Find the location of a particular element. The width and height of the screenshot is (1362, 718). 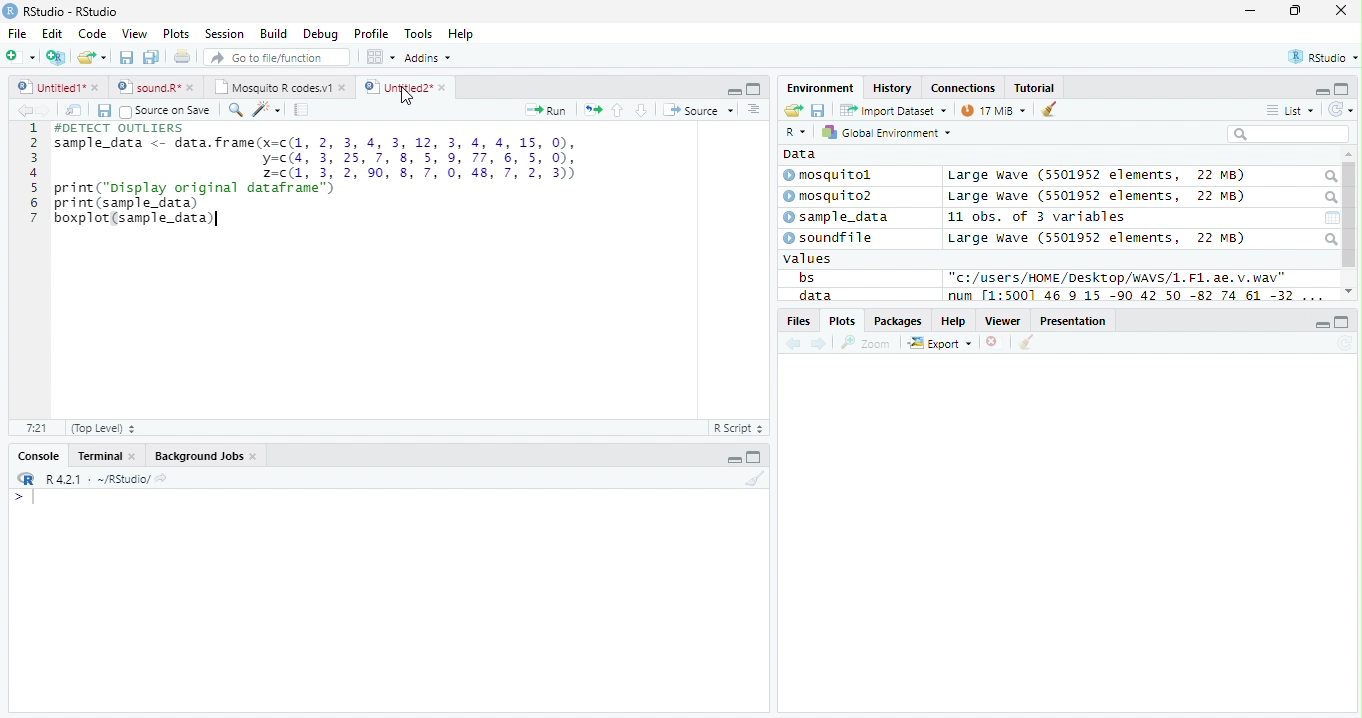

Logo is located at coordinates (11, 11).